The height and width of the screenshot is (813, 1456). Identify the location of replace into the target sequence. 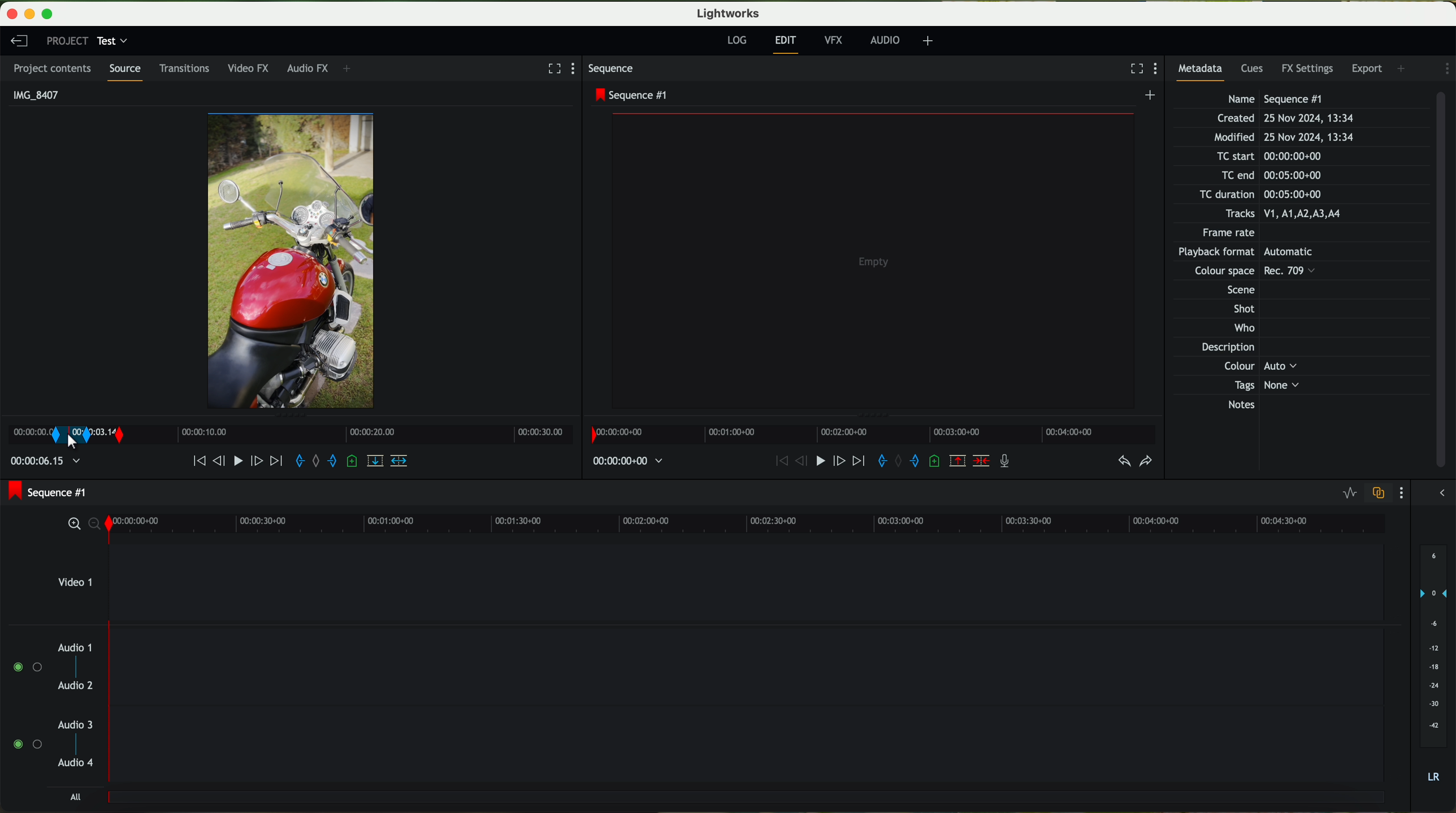
(378, 465).